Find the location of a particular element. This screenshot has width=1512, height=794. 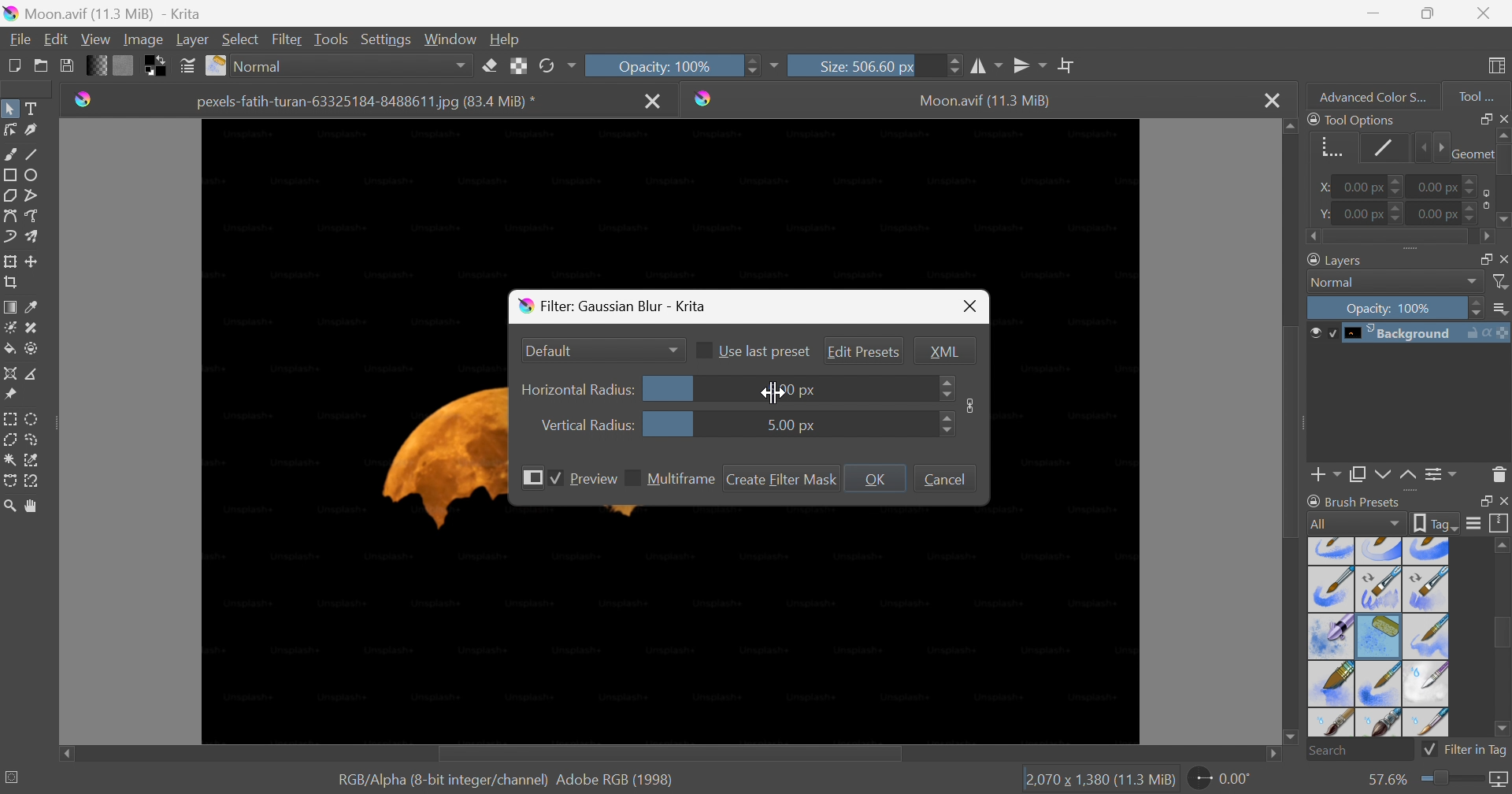

Edit presets is located at coordinates (863, 351).